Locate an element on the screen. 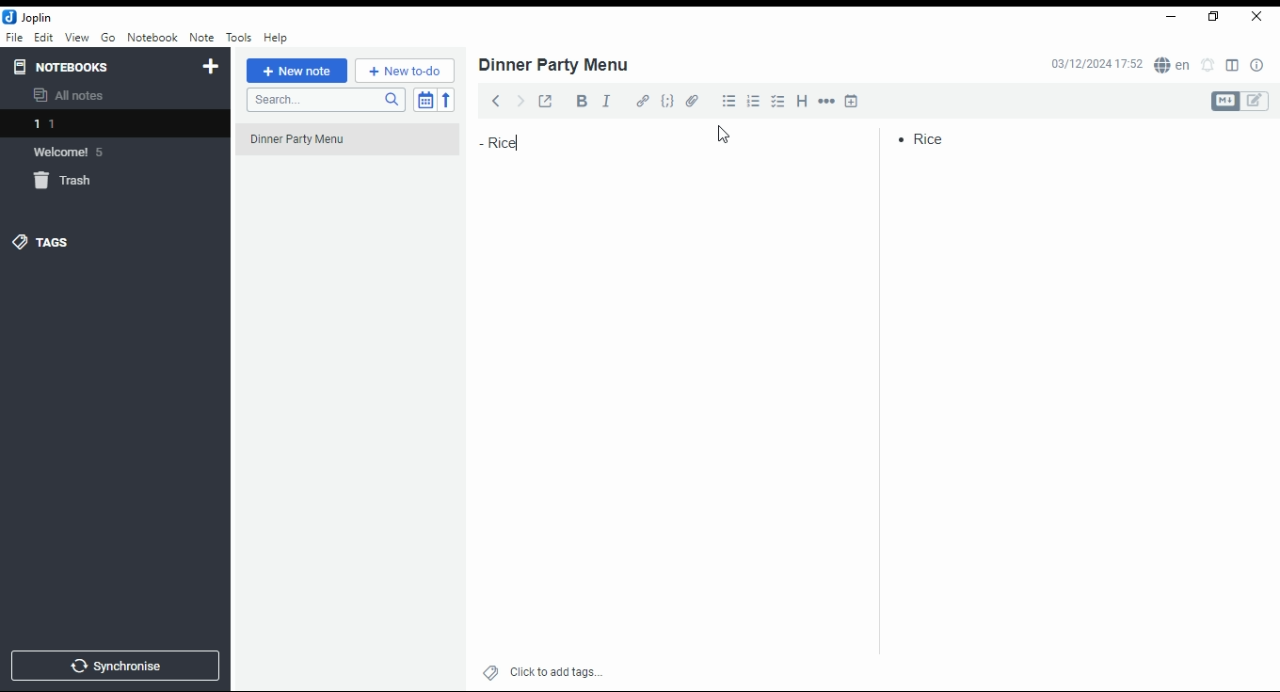 This screenshot has height=692, width=1280. insert time is located at coordinates (851, 100).